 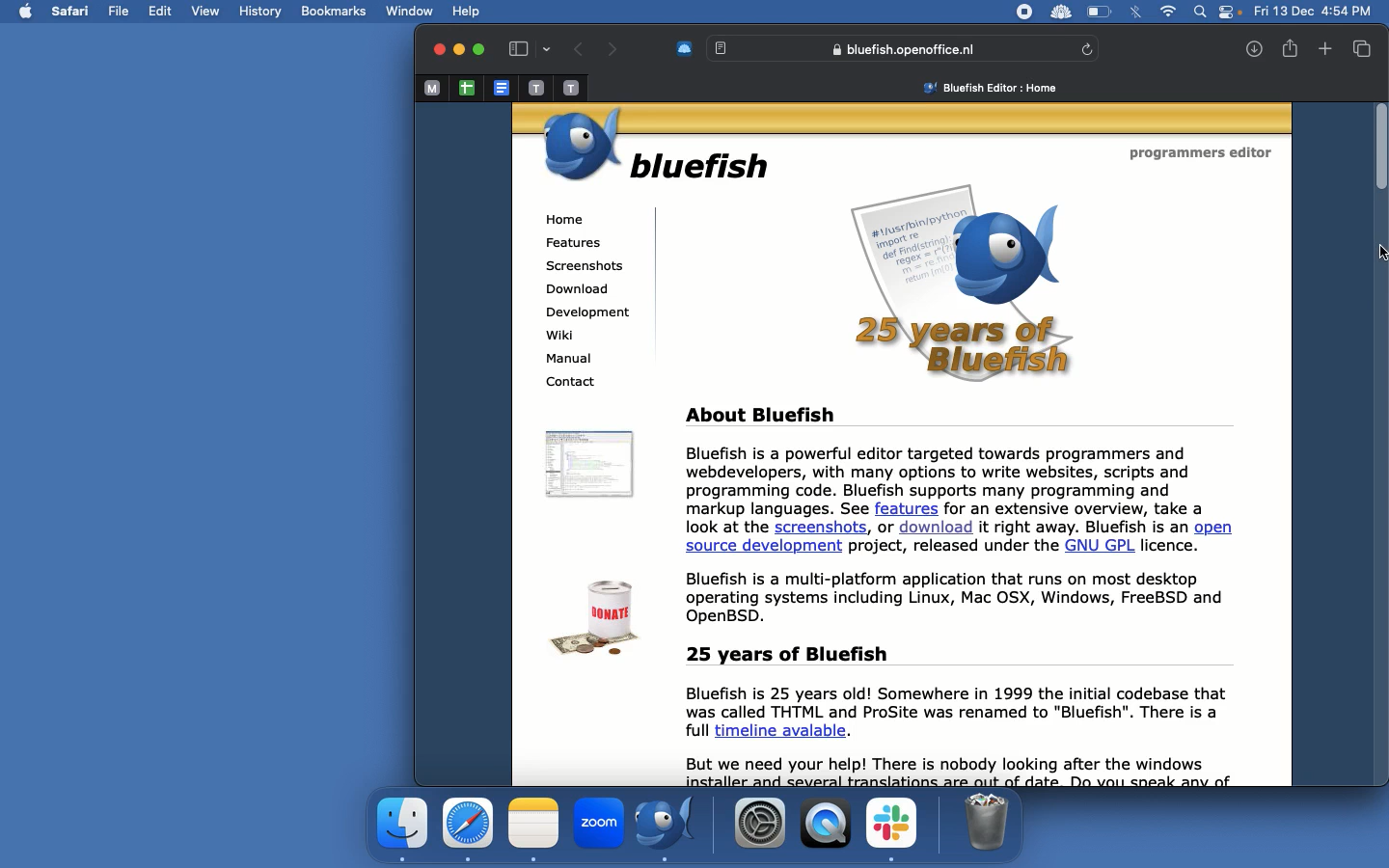 I want to click on Add, so click(x=1326, y=50).